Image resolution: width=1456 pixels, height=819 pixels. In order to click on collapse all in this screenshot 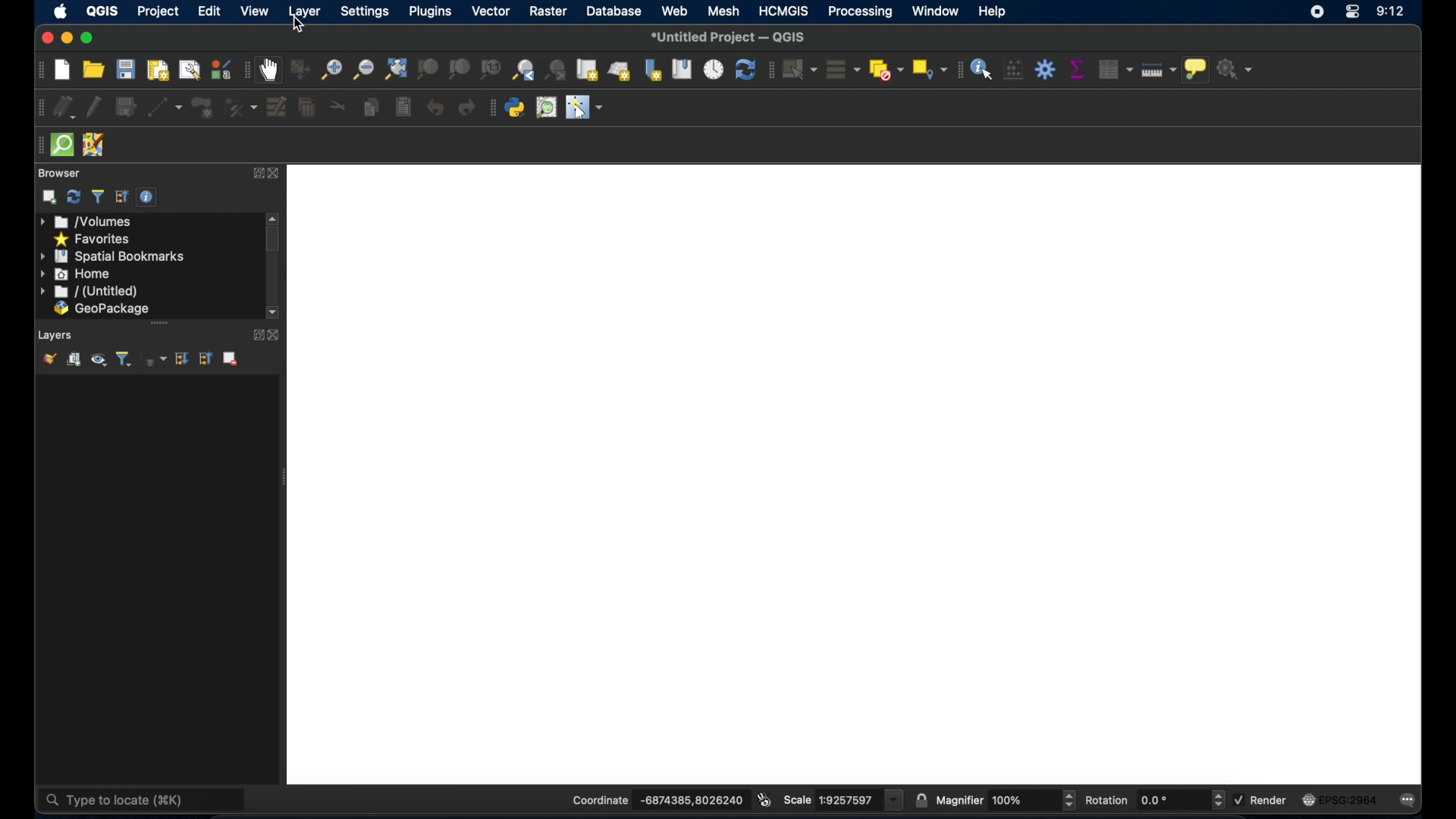, I will do `click(206, 360)`.